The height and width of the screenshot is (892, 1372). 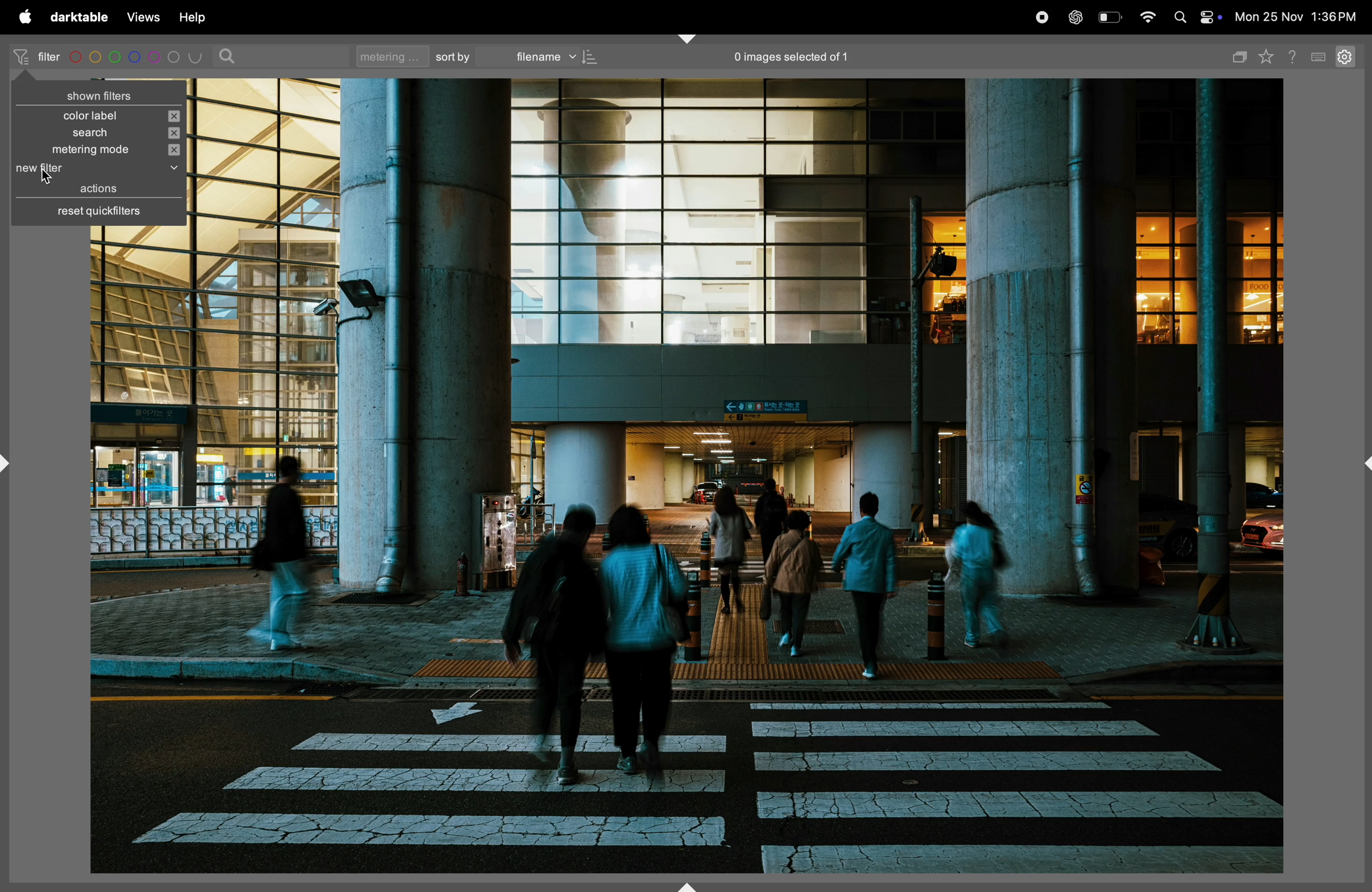 What do you see at coordinates (36, 56) in the screenshot?
I see `filter` at bounding box center [36, 56].